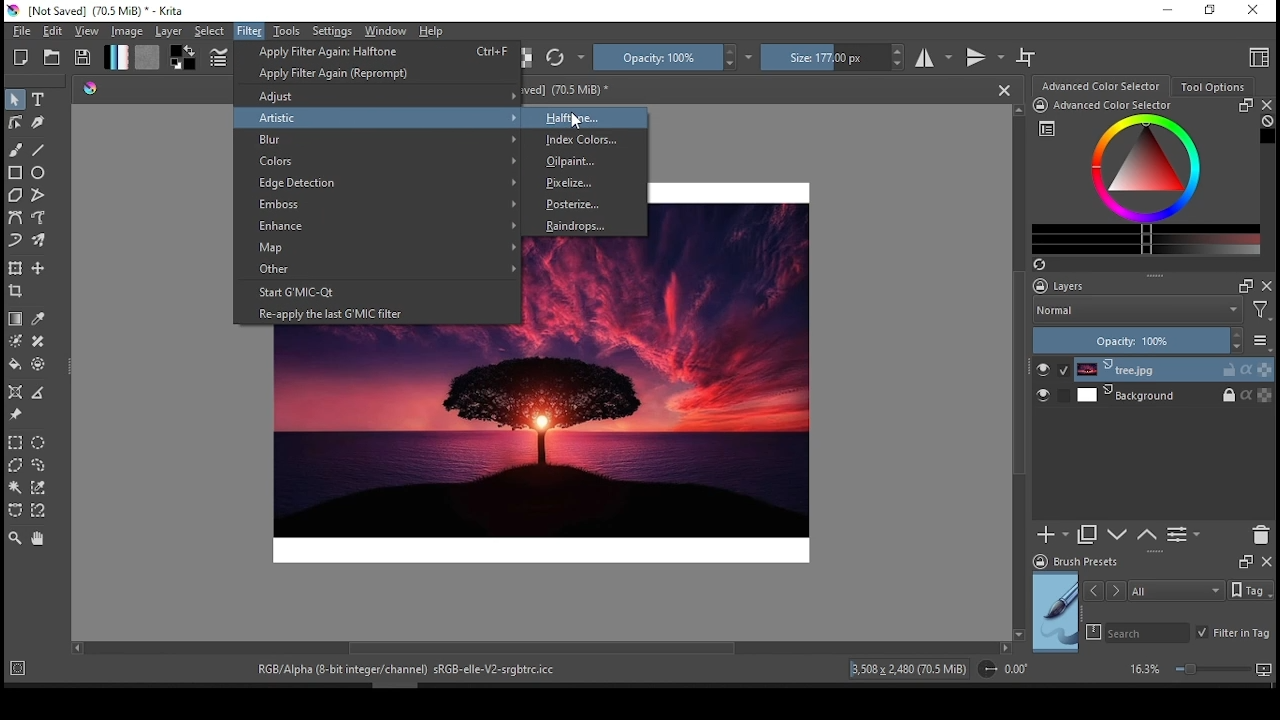  I want to click on new layer, so click(1052, 536).